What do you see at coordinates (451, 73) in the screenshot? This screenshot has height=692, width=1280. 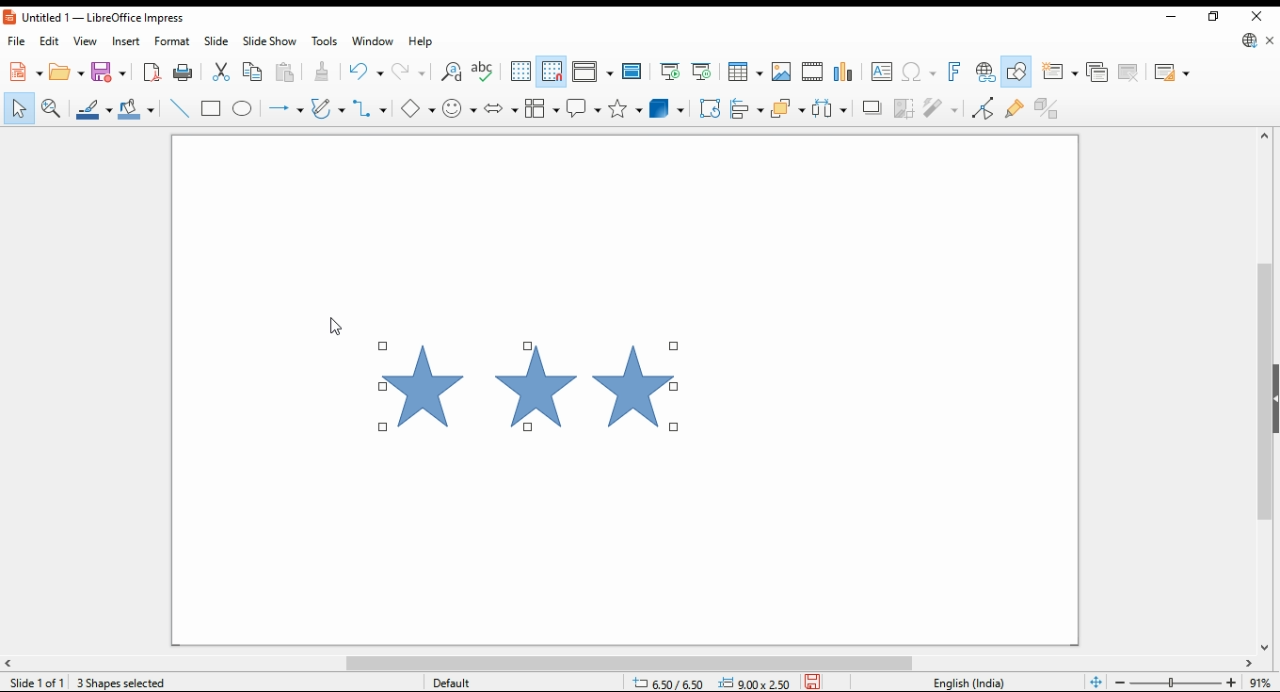 I see `find and replace` at bounding box center [451, 73].